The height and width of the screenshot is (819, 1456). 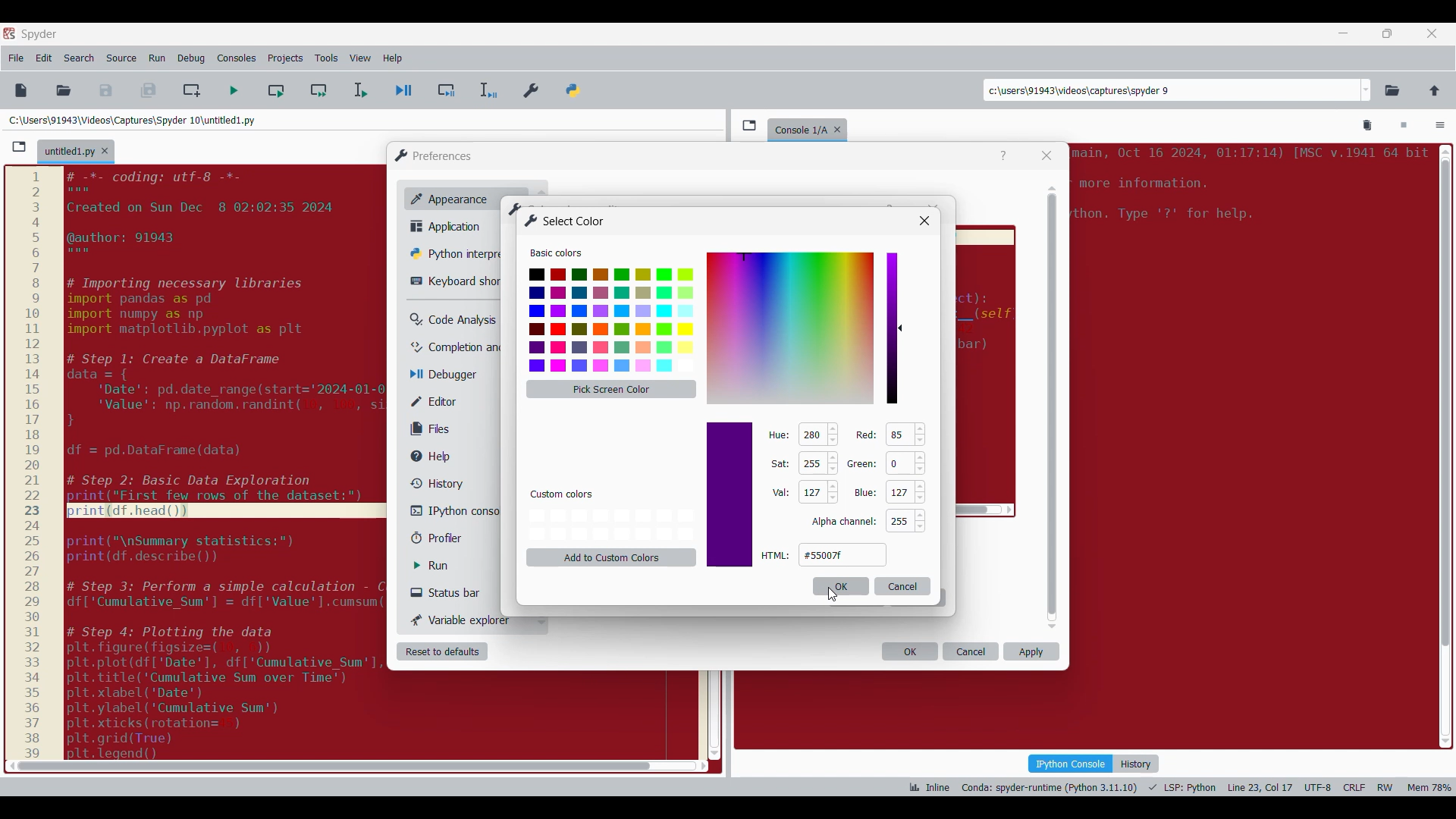 I want to click on Debug file, so click(x=404, y=91).